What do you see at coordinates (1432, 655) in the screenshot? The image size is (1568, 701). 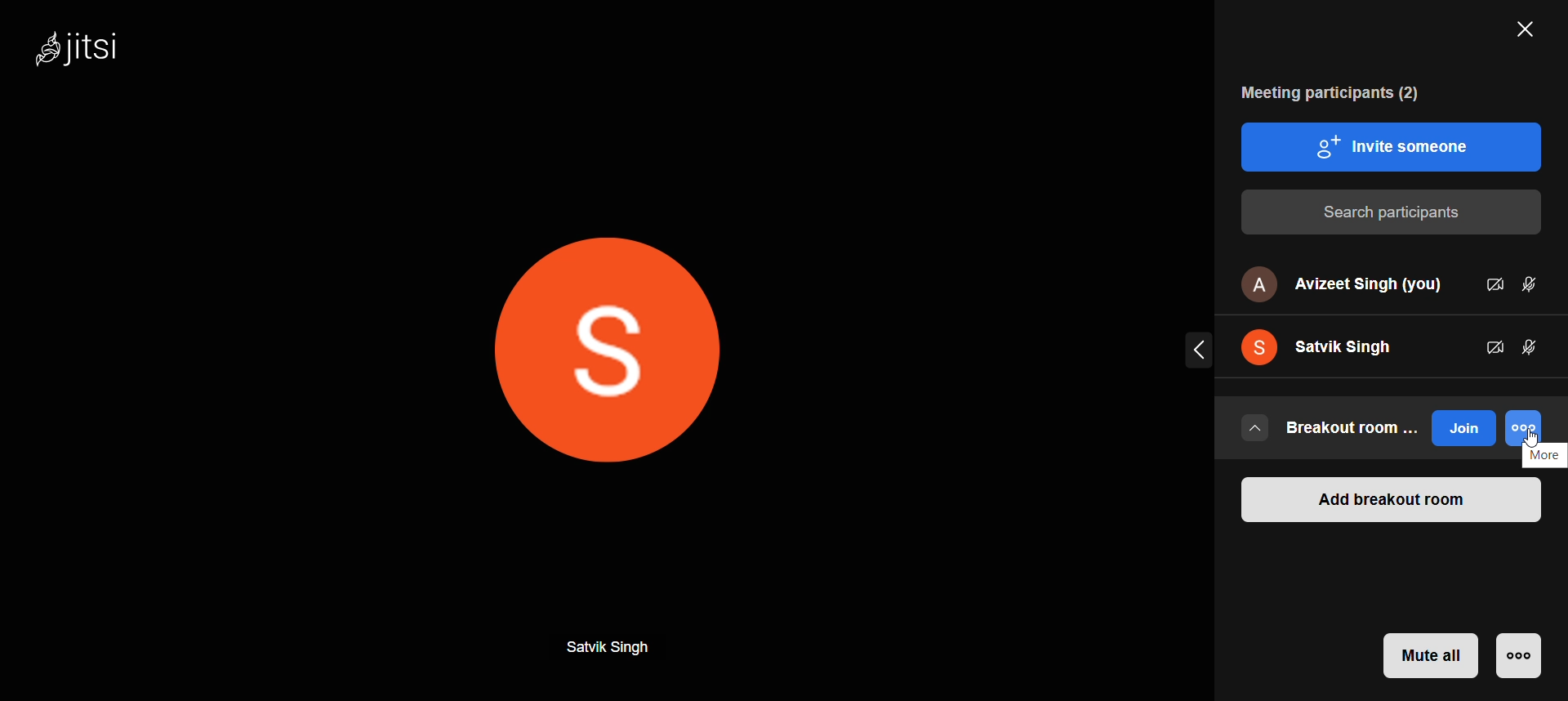 I see `mute all` at bounding box center [1432, 655].